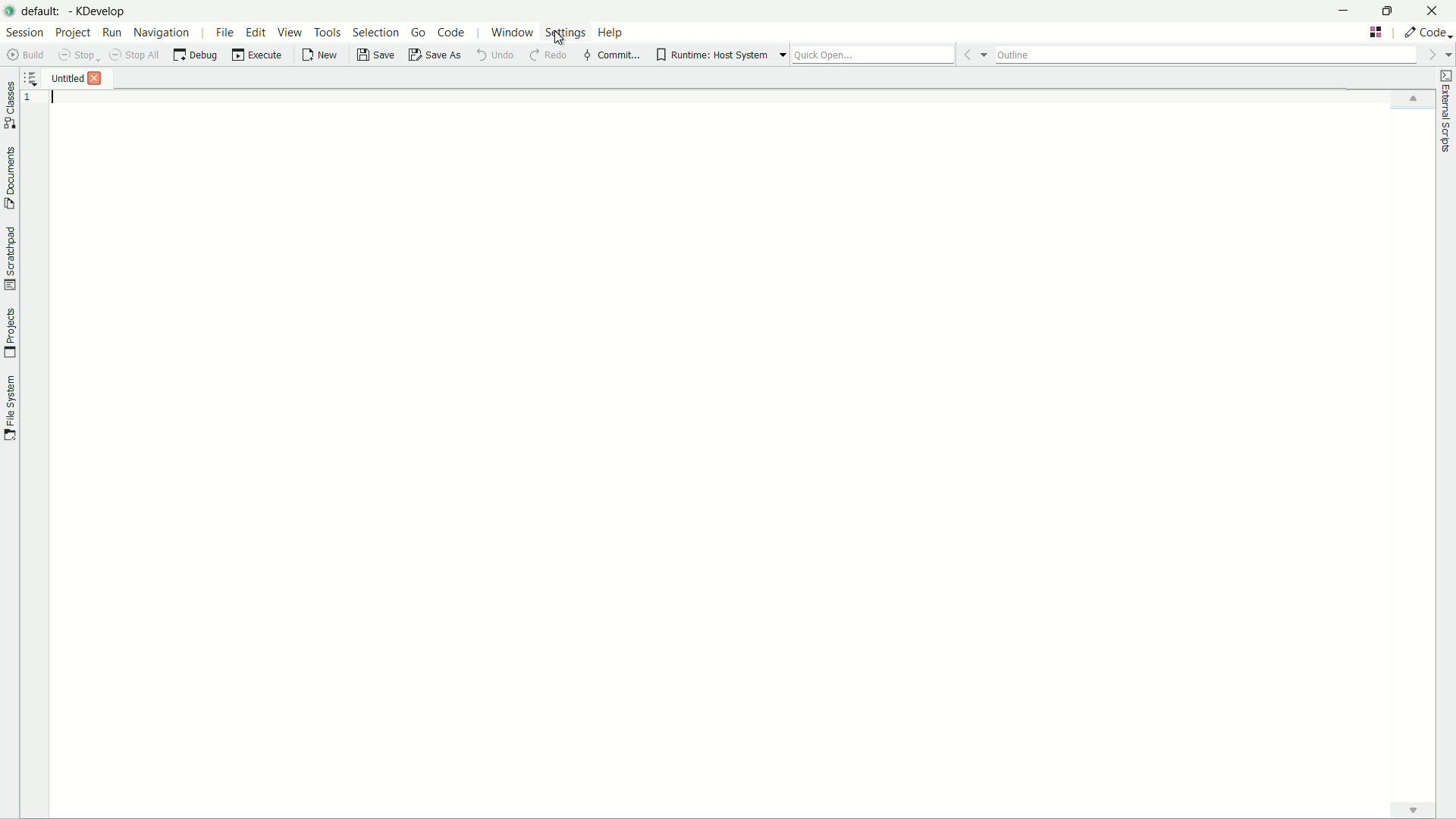 The image size is (1456, 819). Describe the element at coordinates (565, 33) in the screenshot. I see `settings` at that location.